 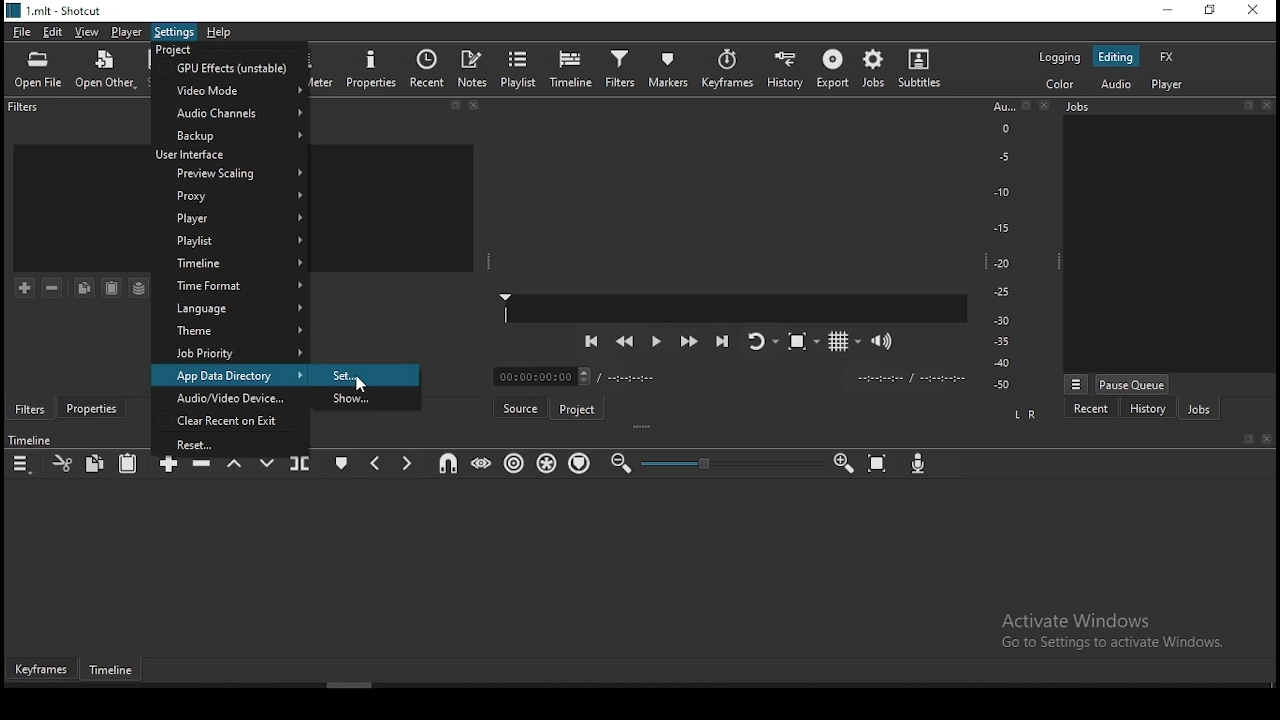 What do you see at coordinates (32, 440) in the screenshot?
I see `Timeline` at bounding box center [32, 440].